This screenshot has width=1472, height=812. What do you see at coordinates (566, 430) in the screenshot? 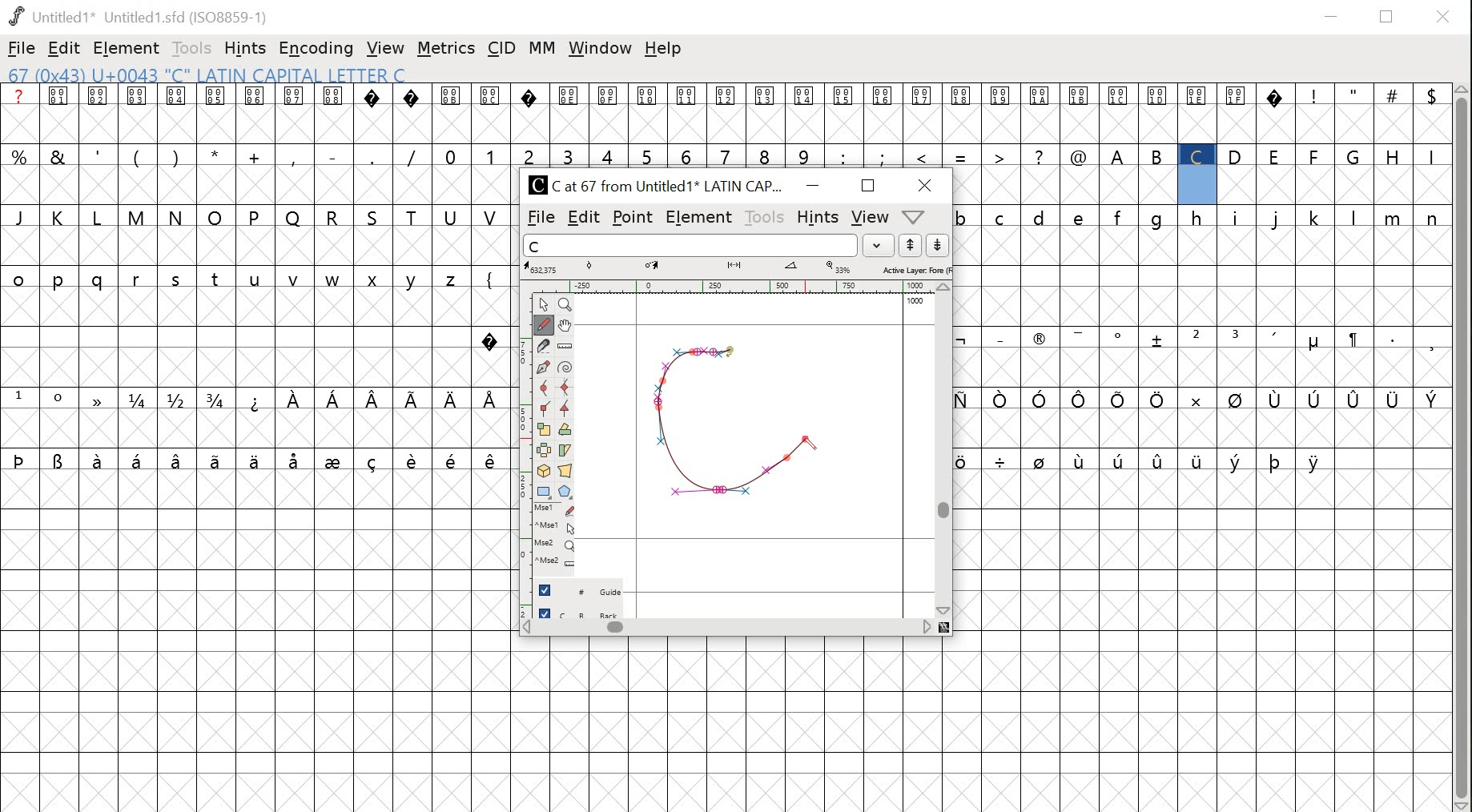
I see `rotate` at bounding box center [566, 430].